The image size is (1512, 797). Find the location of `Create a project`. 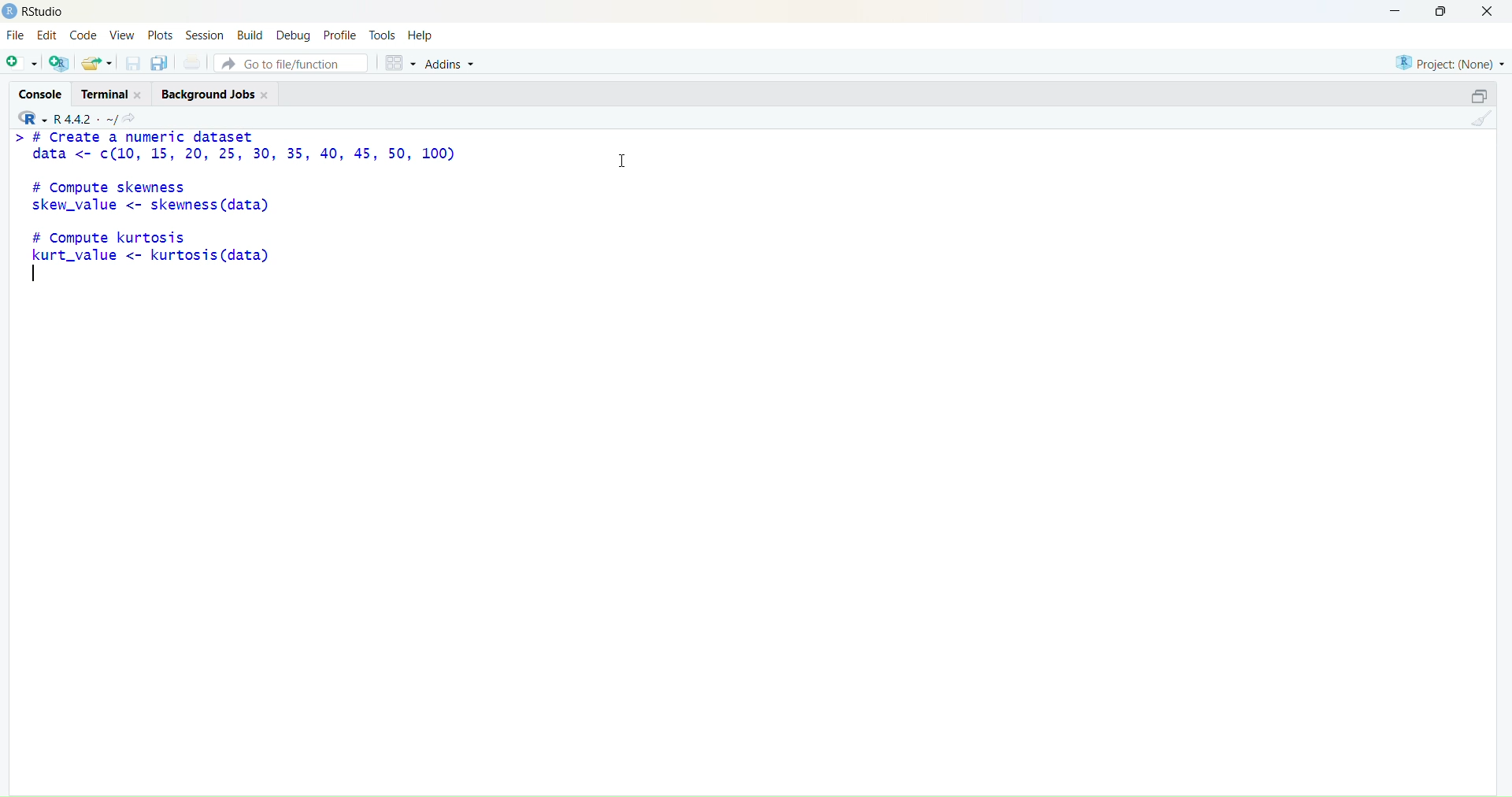

Create a project is located at coordinates (59, 63).